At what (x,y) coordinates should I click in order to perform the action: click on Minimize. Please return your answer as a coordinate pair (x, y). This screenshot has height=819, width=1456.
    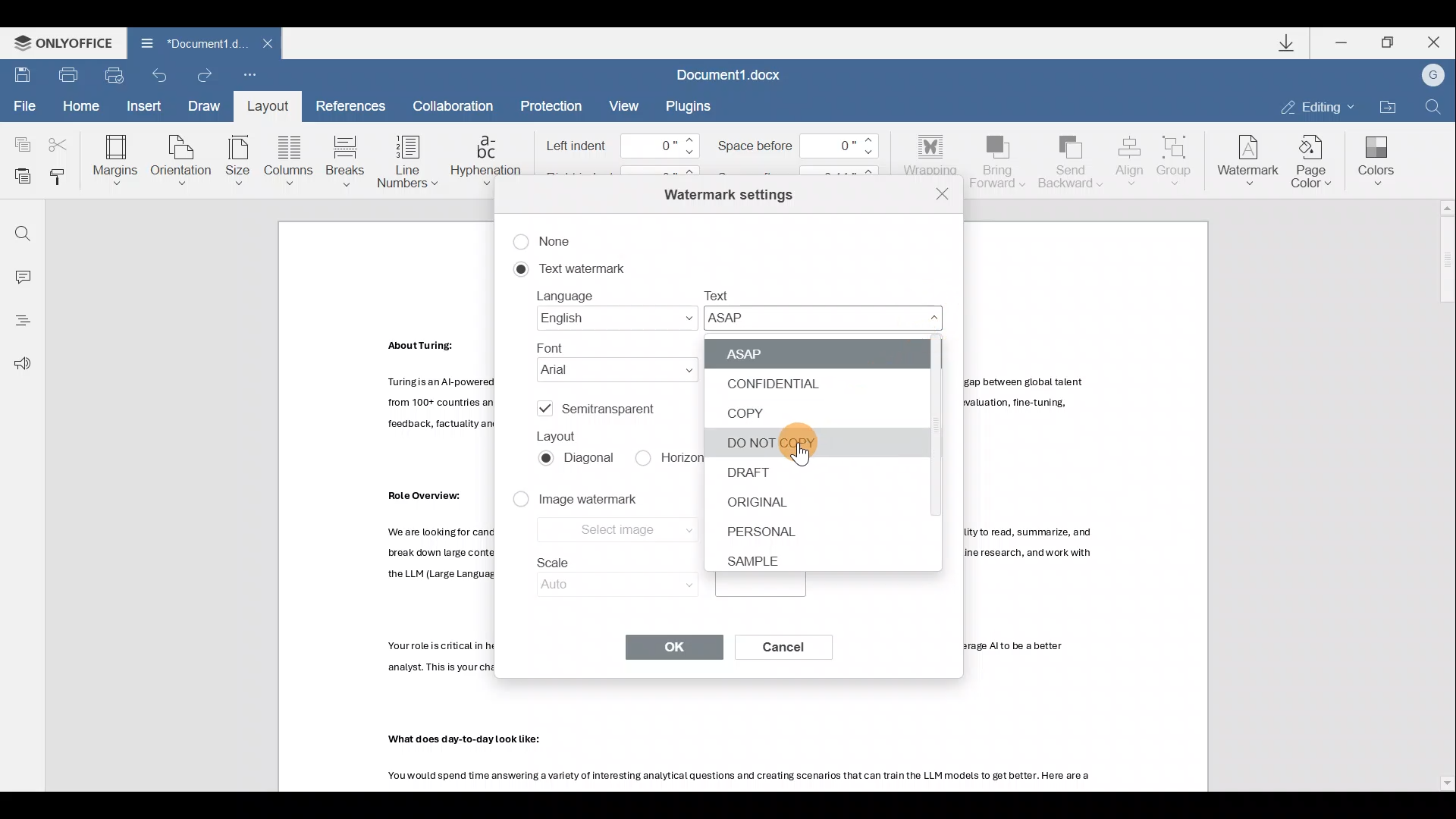
    Looking at the image, I should click on (1342, 42).